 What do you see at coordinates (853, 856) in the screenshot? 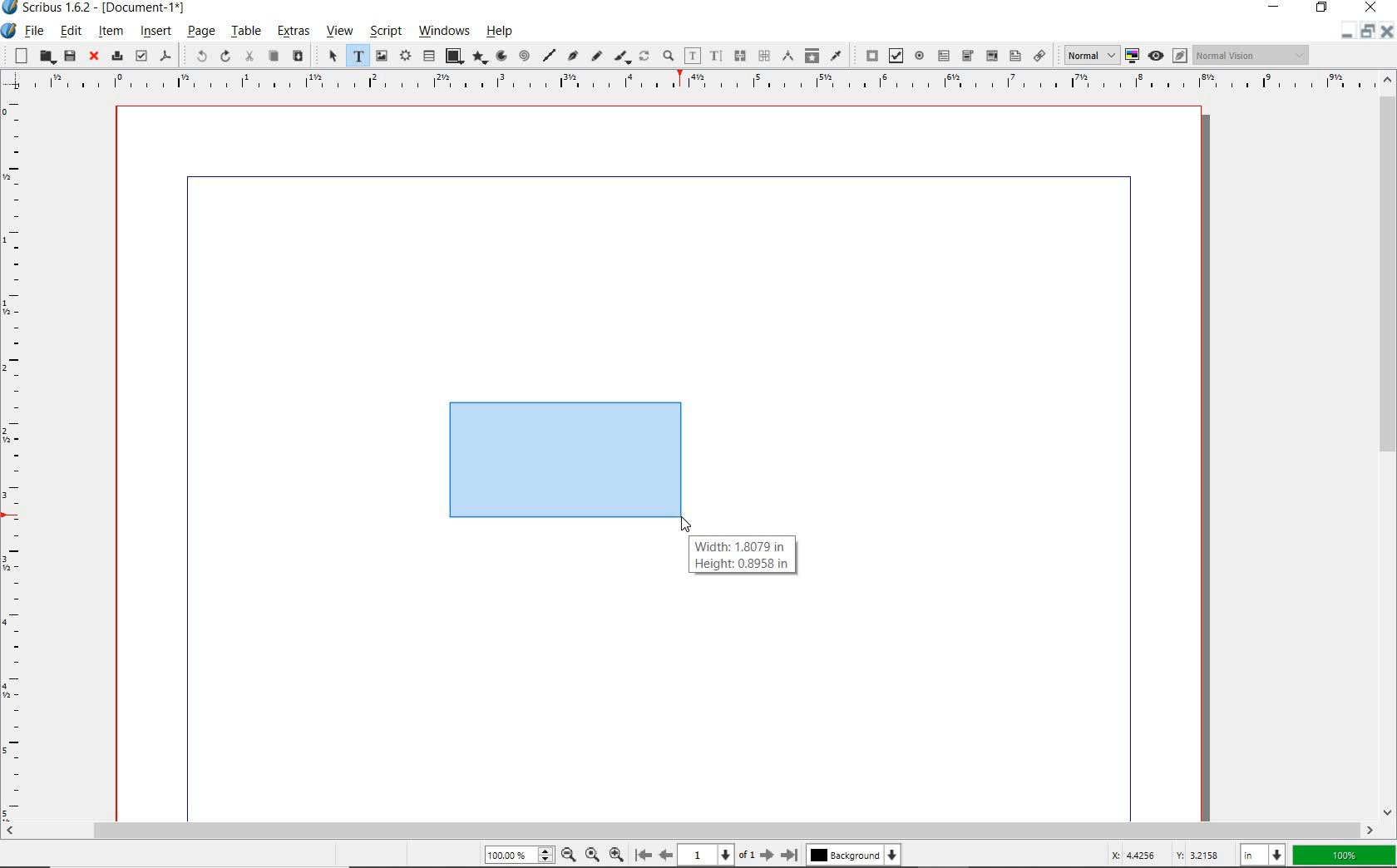
I see `Background` at bounding box center [853, 856].